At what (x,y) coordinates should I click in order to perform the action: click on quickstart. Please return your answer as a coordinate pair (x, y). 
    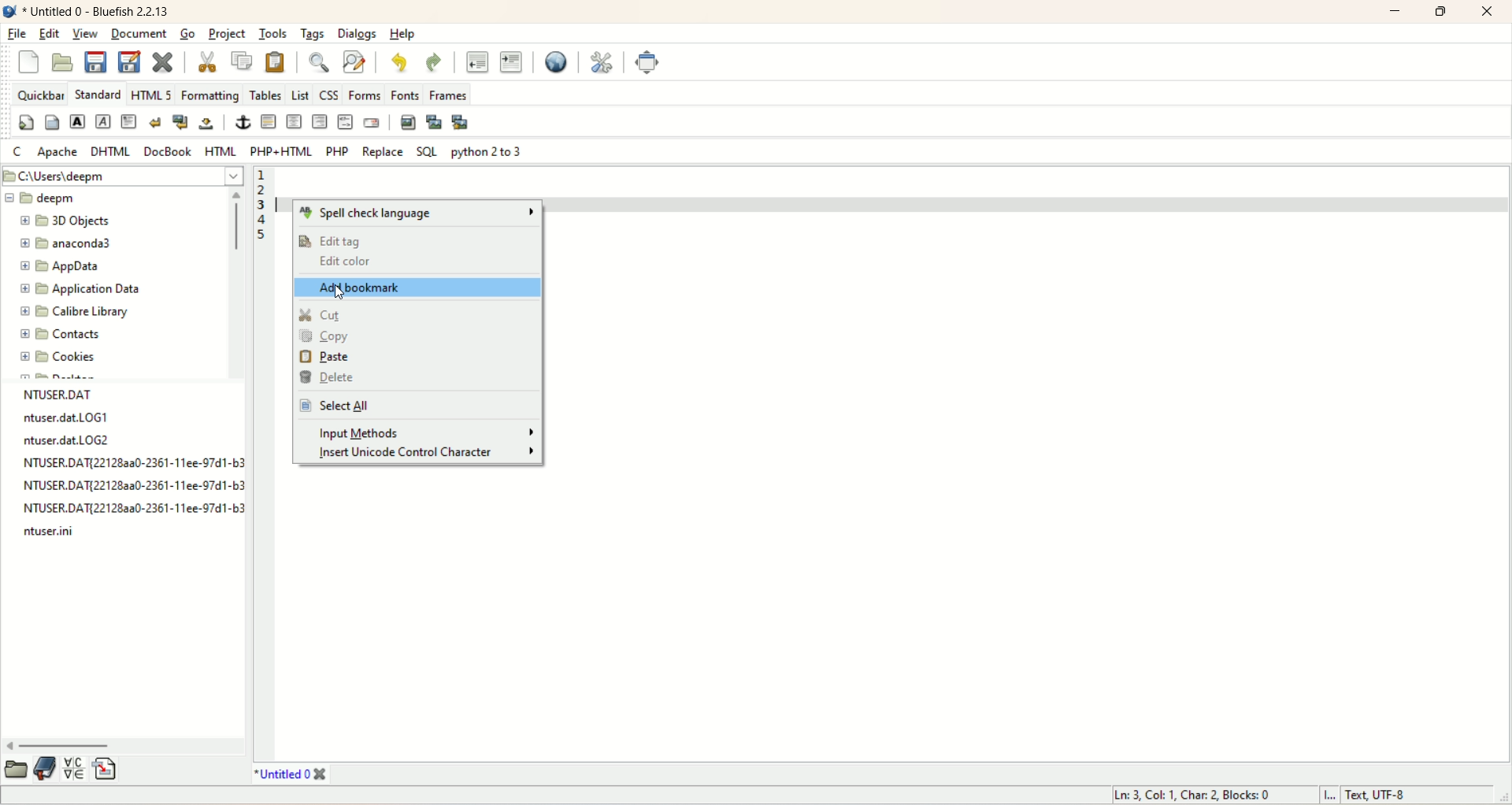
    Looking at the image, I should click on (25, 124).